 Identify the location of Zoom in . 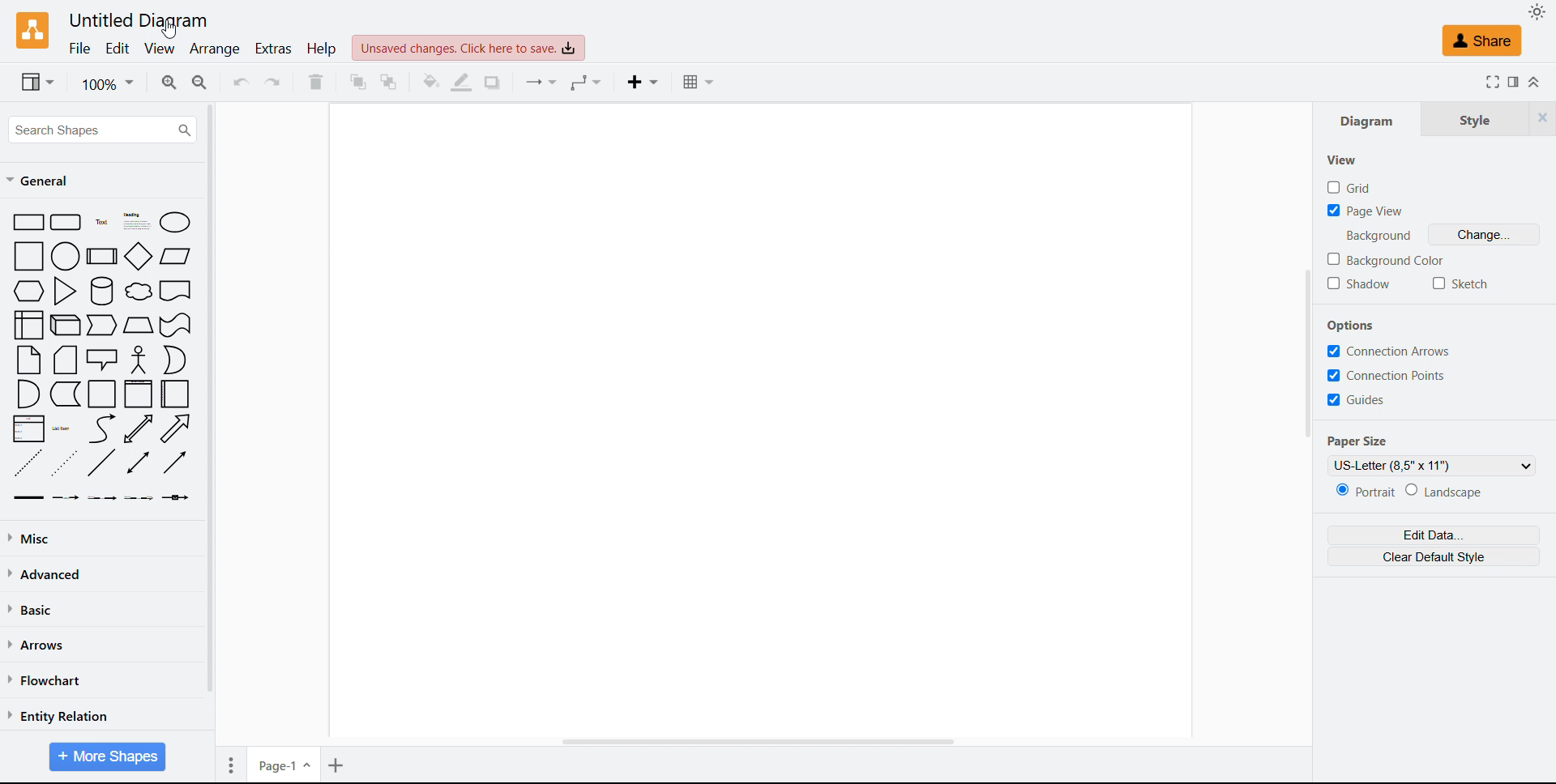
(169, 83).